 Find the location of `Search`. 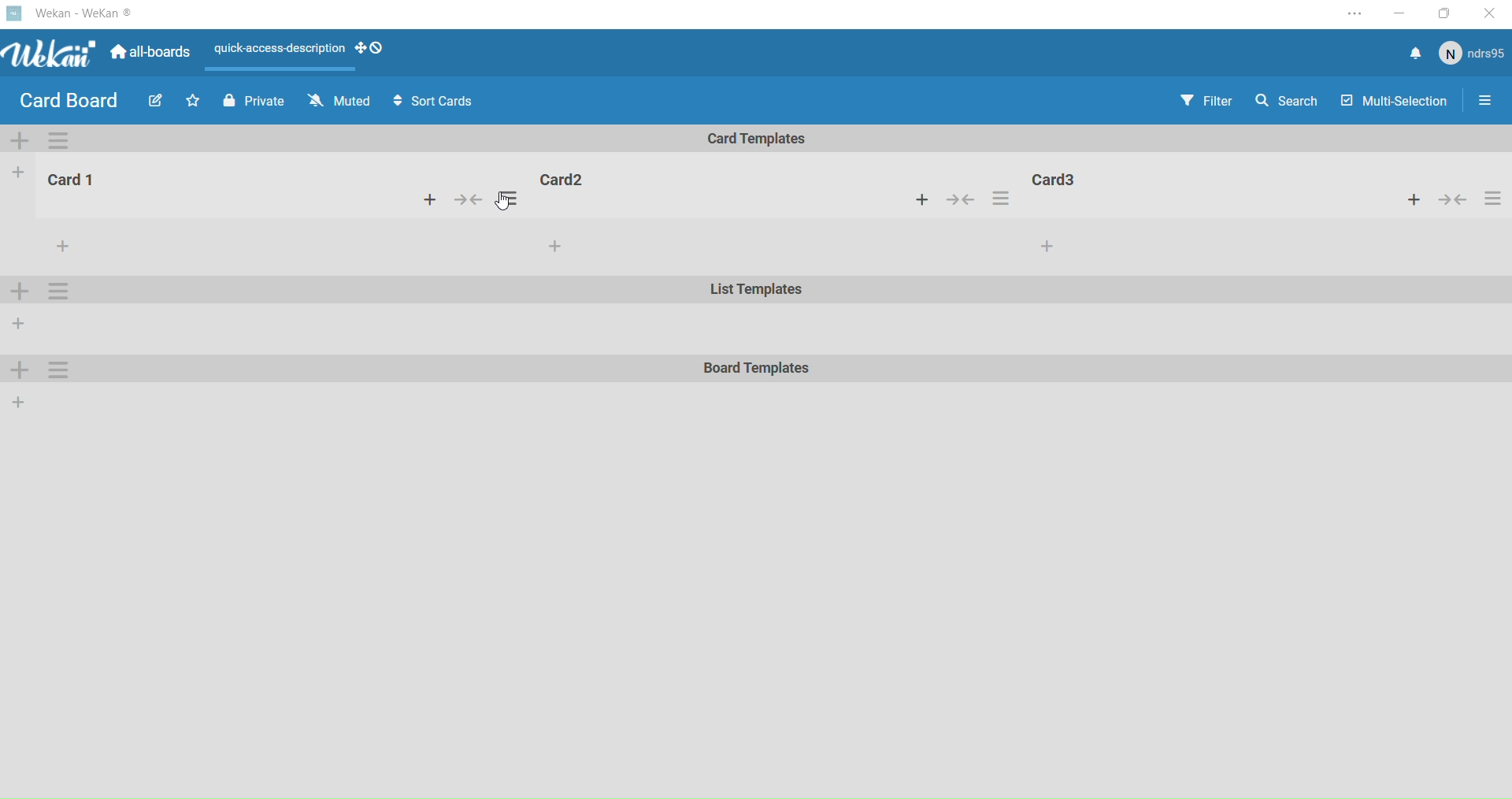

Search is located at coordinates (1288, 104).